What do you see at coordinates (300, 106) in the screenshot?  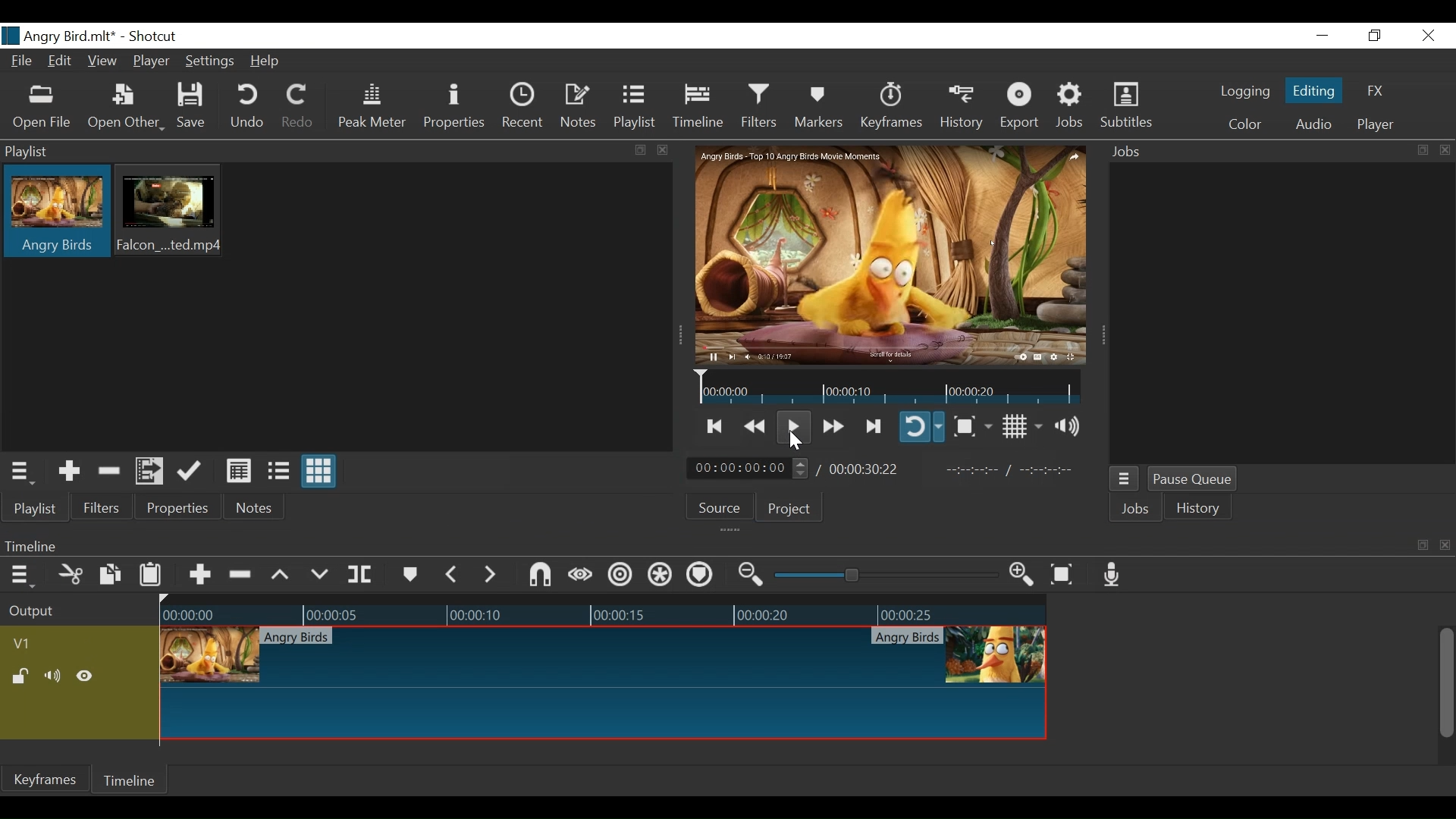 I see `Redo` at bounding box center [300, 106].